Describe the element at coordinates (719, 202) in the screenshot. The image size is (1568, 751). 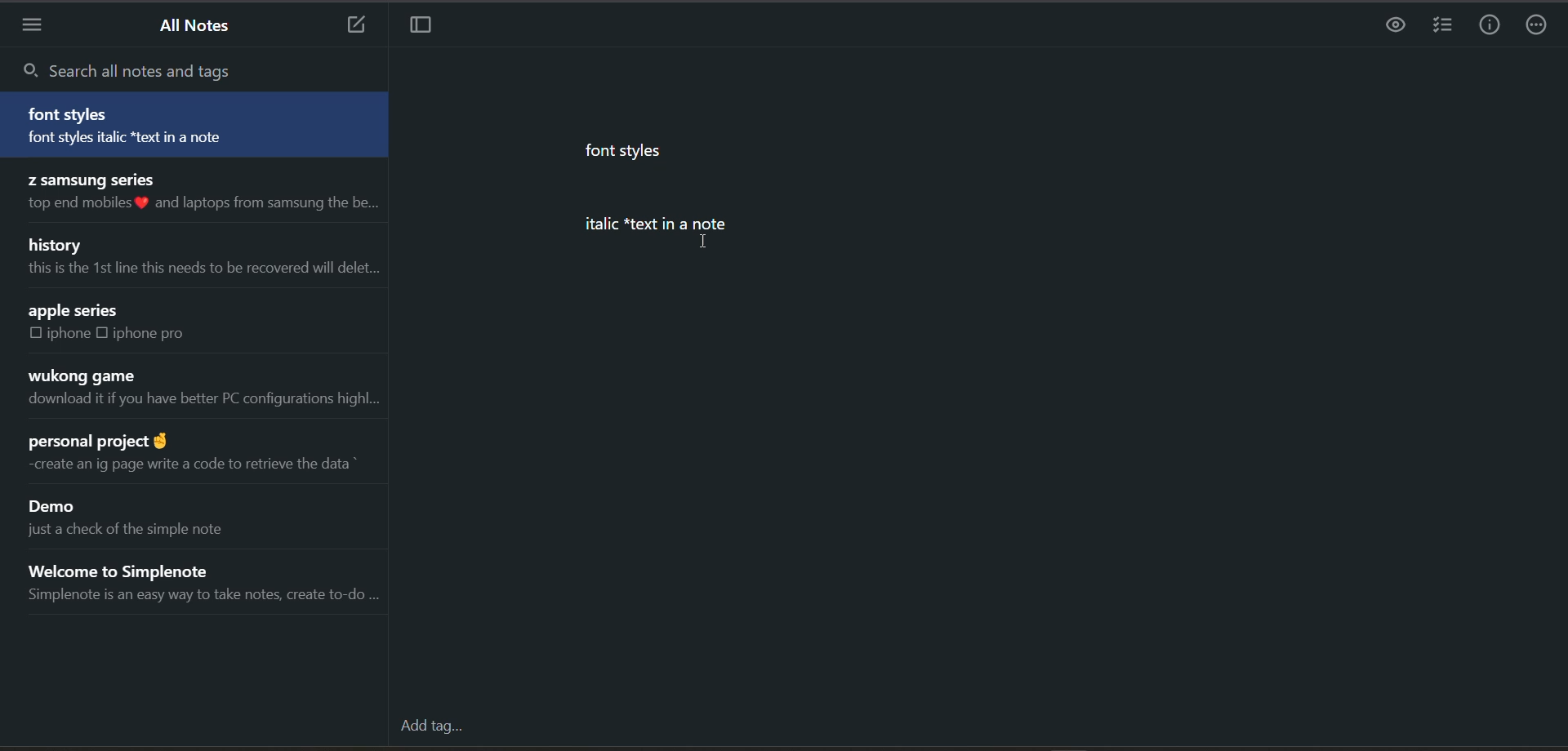
I see `data from current note` at that location.